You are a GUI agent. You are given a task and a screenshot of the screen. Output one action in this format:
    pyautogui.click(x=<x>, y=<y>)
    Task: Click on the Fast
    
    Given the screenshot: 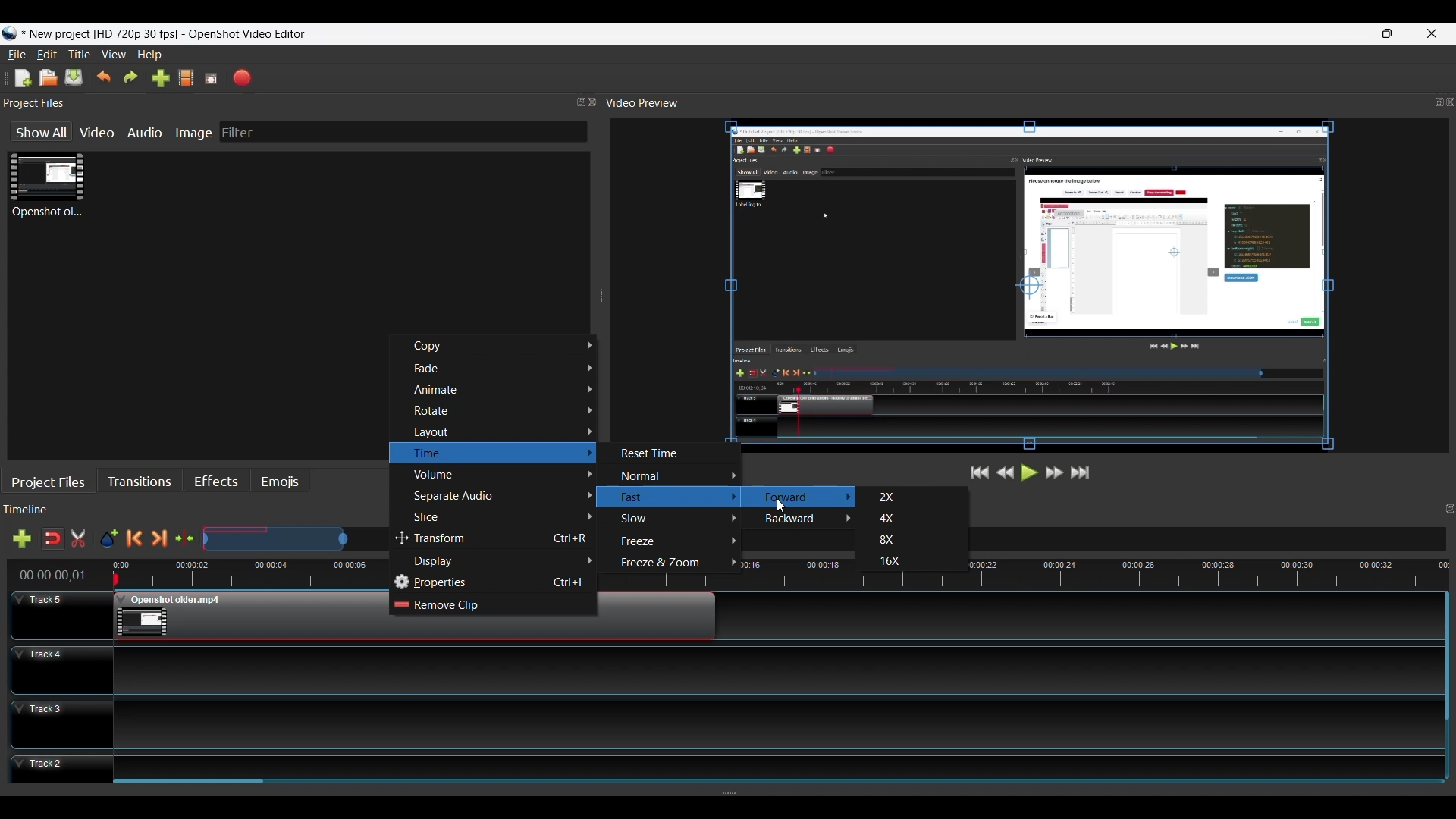 What is the action you would take?
    pyautogui.click(x=671, y=497)
    